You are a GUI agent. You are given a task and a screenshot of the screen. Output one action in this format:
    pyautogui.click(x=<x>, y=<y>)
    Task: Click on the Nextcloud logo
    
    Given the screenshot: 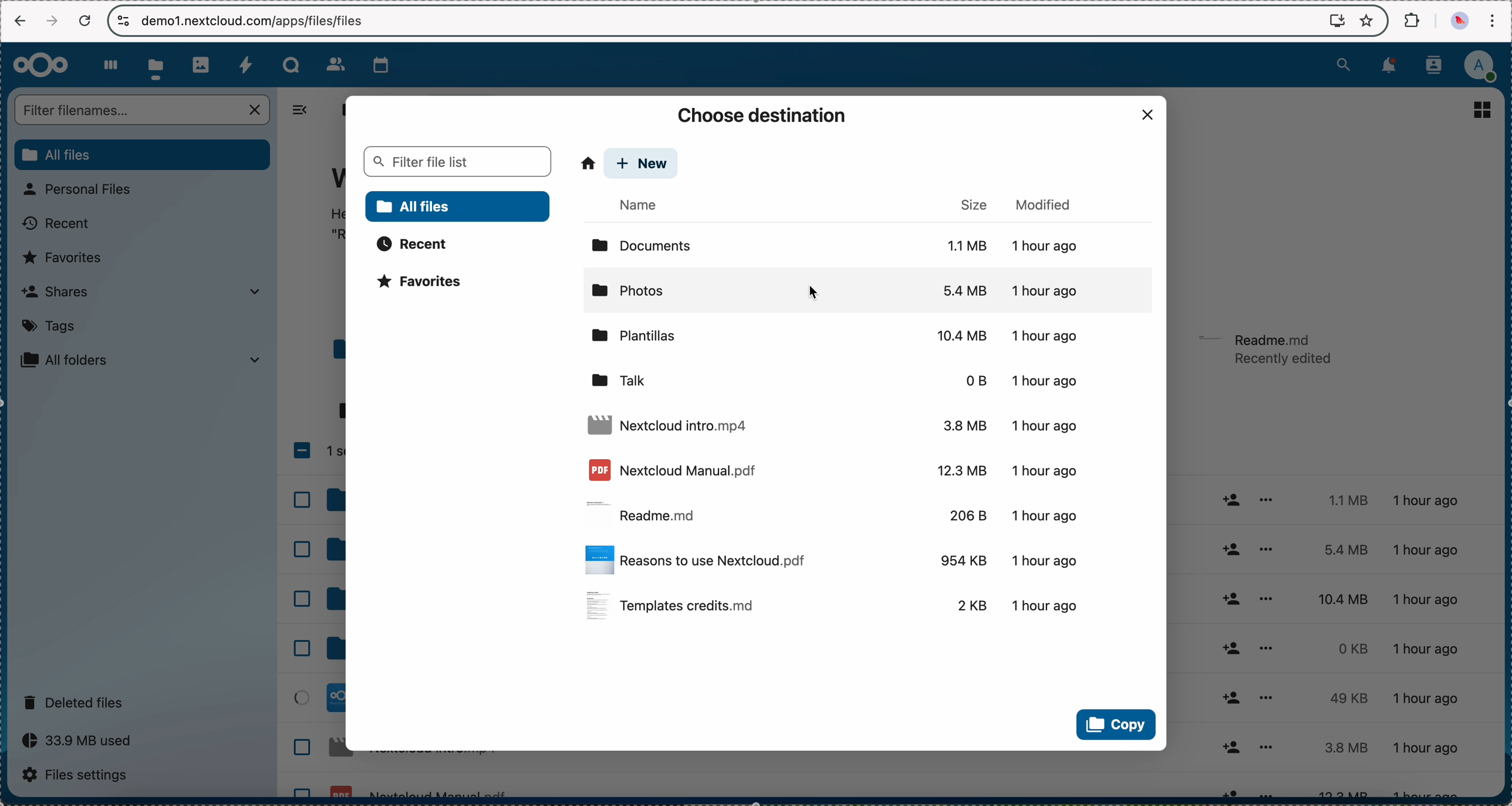 What is the action you would take?
    pyautogui.click(x=39, y=65)
    